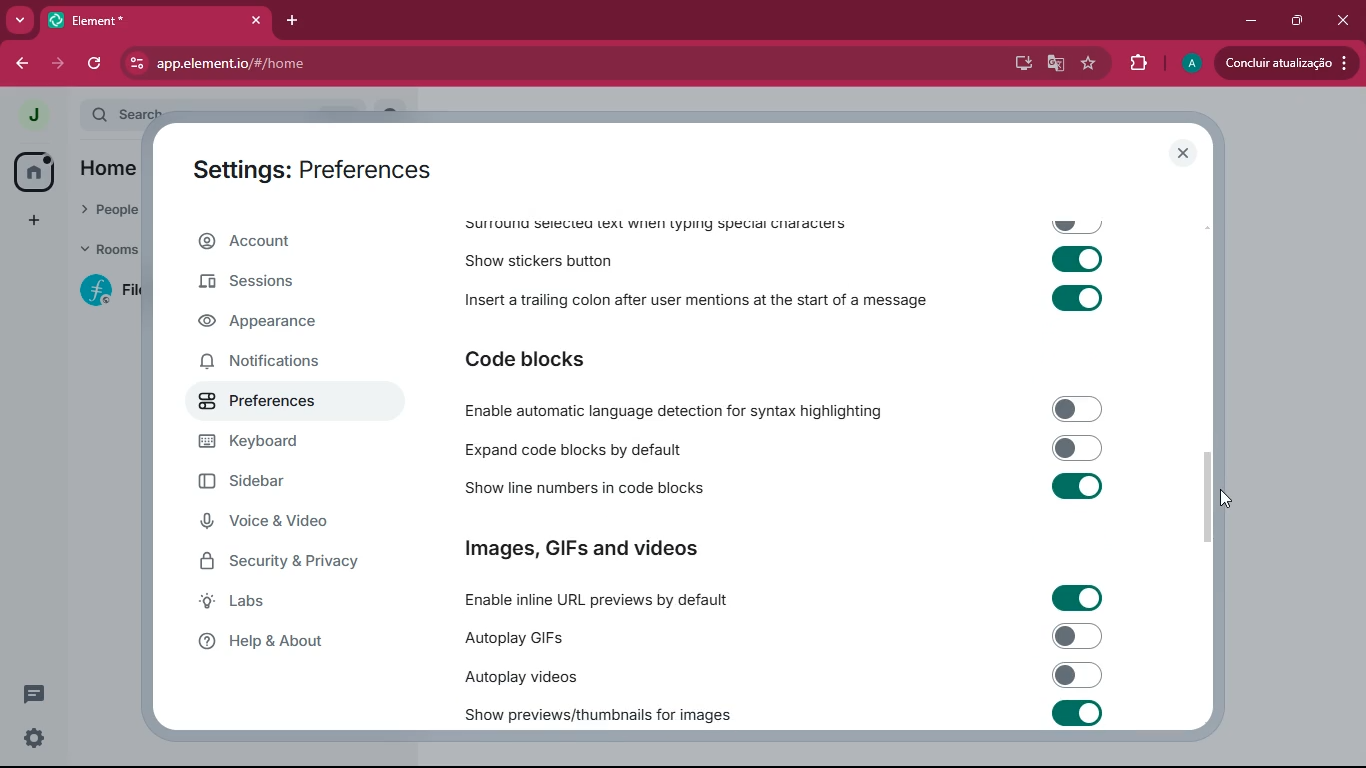  I want to click on labs, so click(283, 605).